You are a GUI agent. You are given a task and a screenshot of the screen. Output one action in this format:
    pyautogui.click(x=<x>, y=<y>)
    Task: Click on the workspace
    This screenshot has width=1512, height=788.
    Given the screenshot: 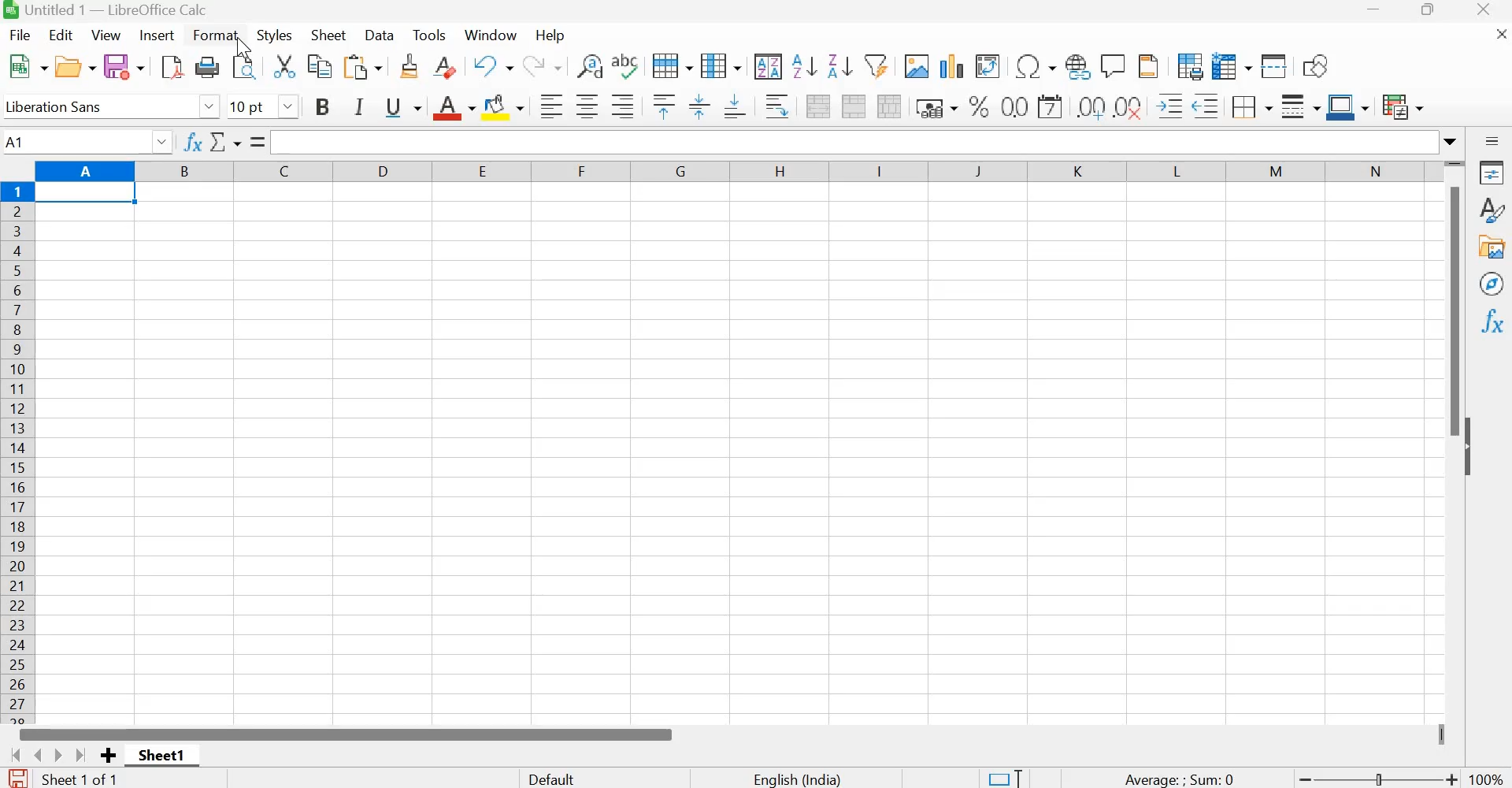 What is the action you would take?
    pyautogui.click(x=739, y=452)
    